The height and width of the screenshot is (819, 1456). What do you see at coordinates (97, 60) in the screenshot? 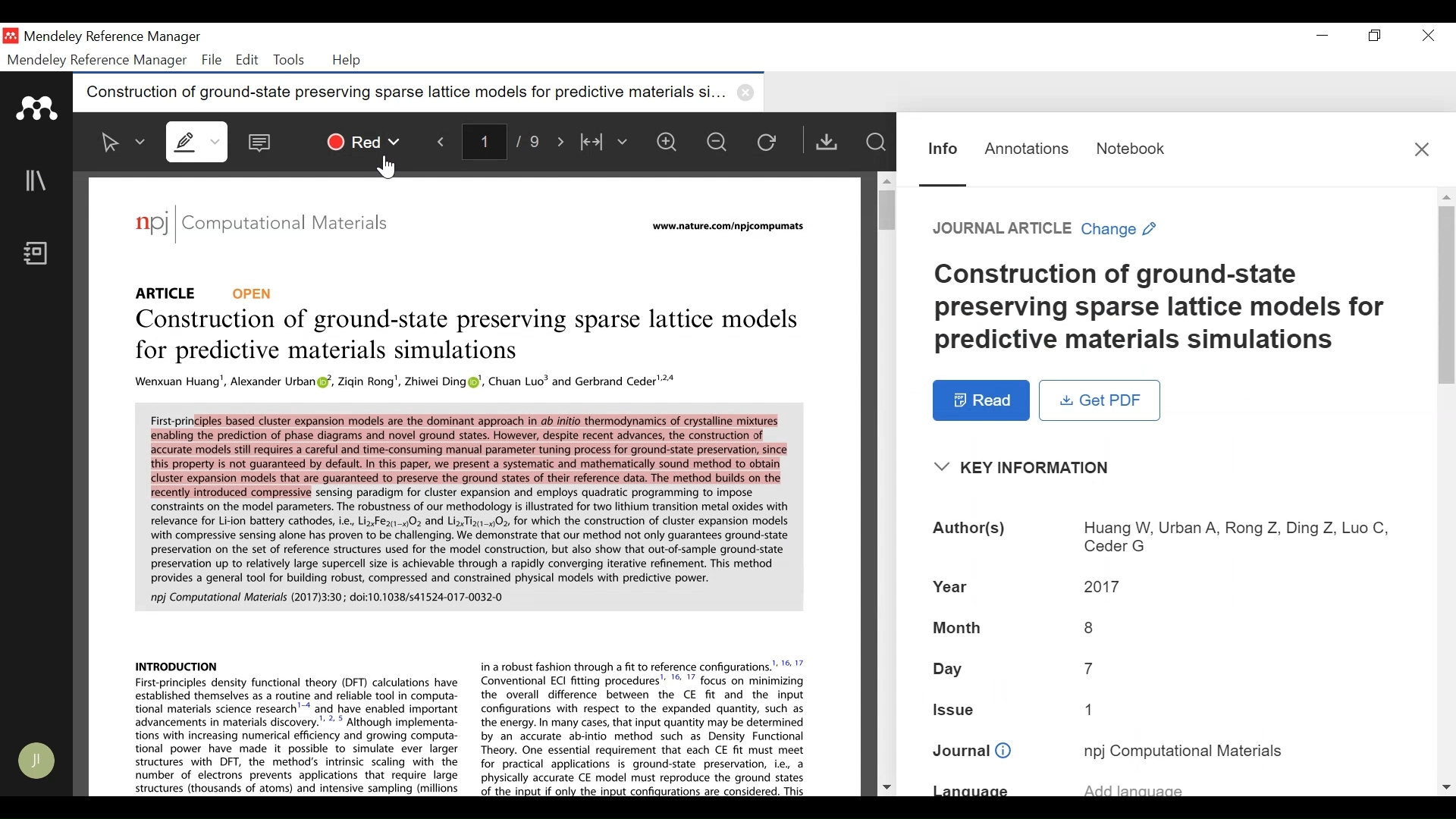
I see `Mendeley Reference Manager` at bounding box center [97, 60].